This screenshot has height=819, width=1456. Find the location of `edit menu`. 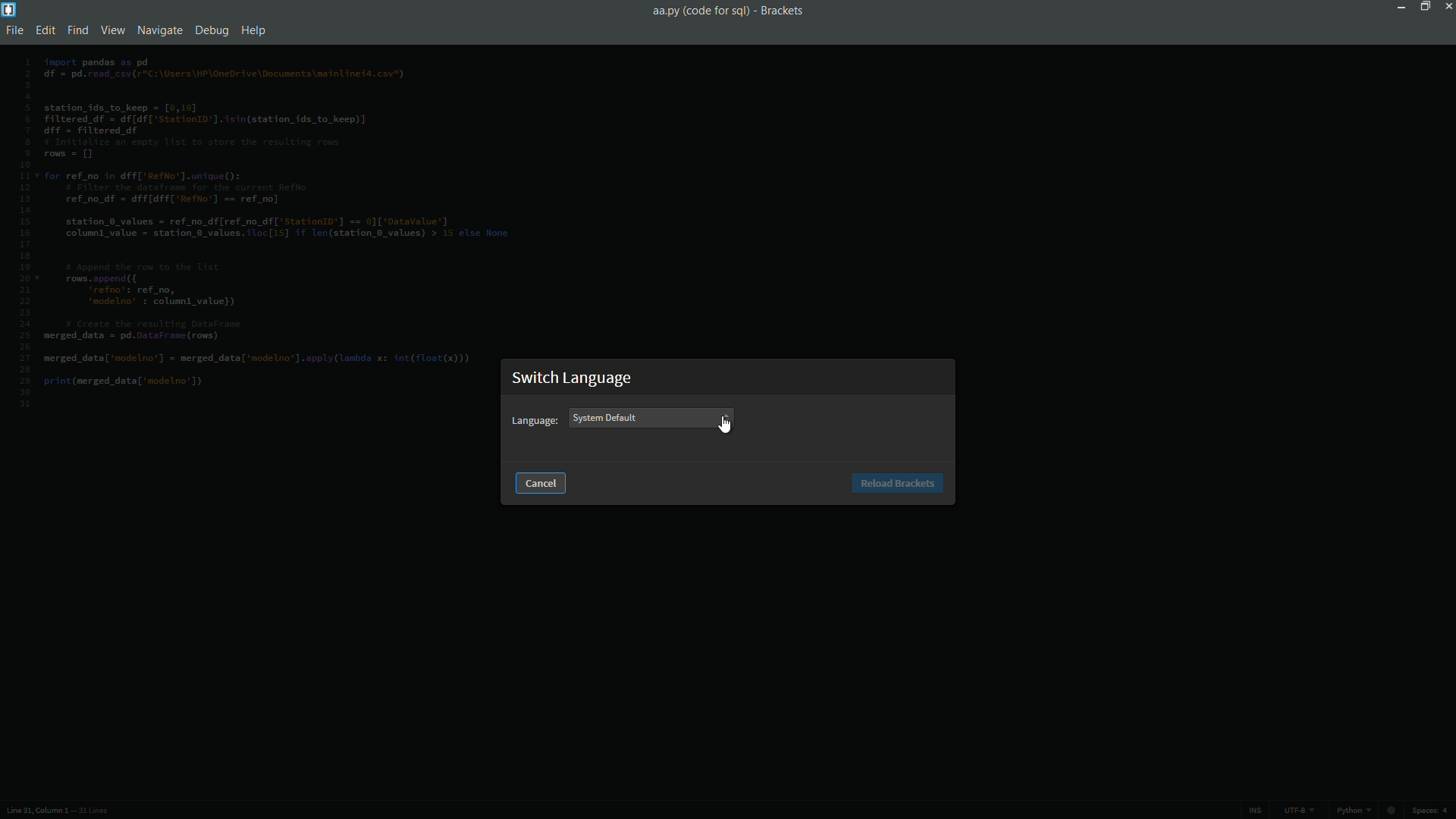

edit menu is located at coordinates (47, 31).